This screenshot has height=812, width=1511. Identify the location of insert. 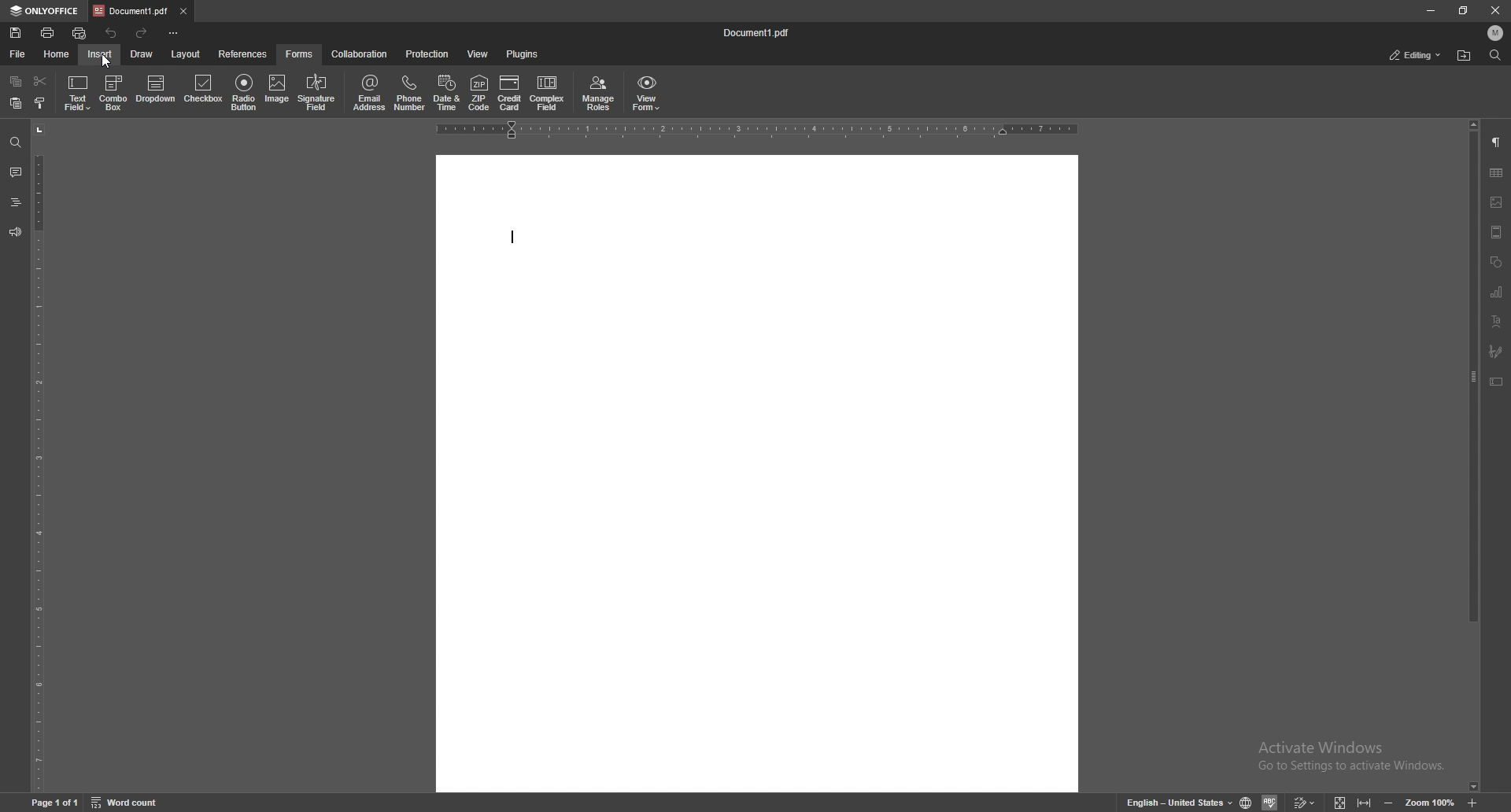
(100, 54).